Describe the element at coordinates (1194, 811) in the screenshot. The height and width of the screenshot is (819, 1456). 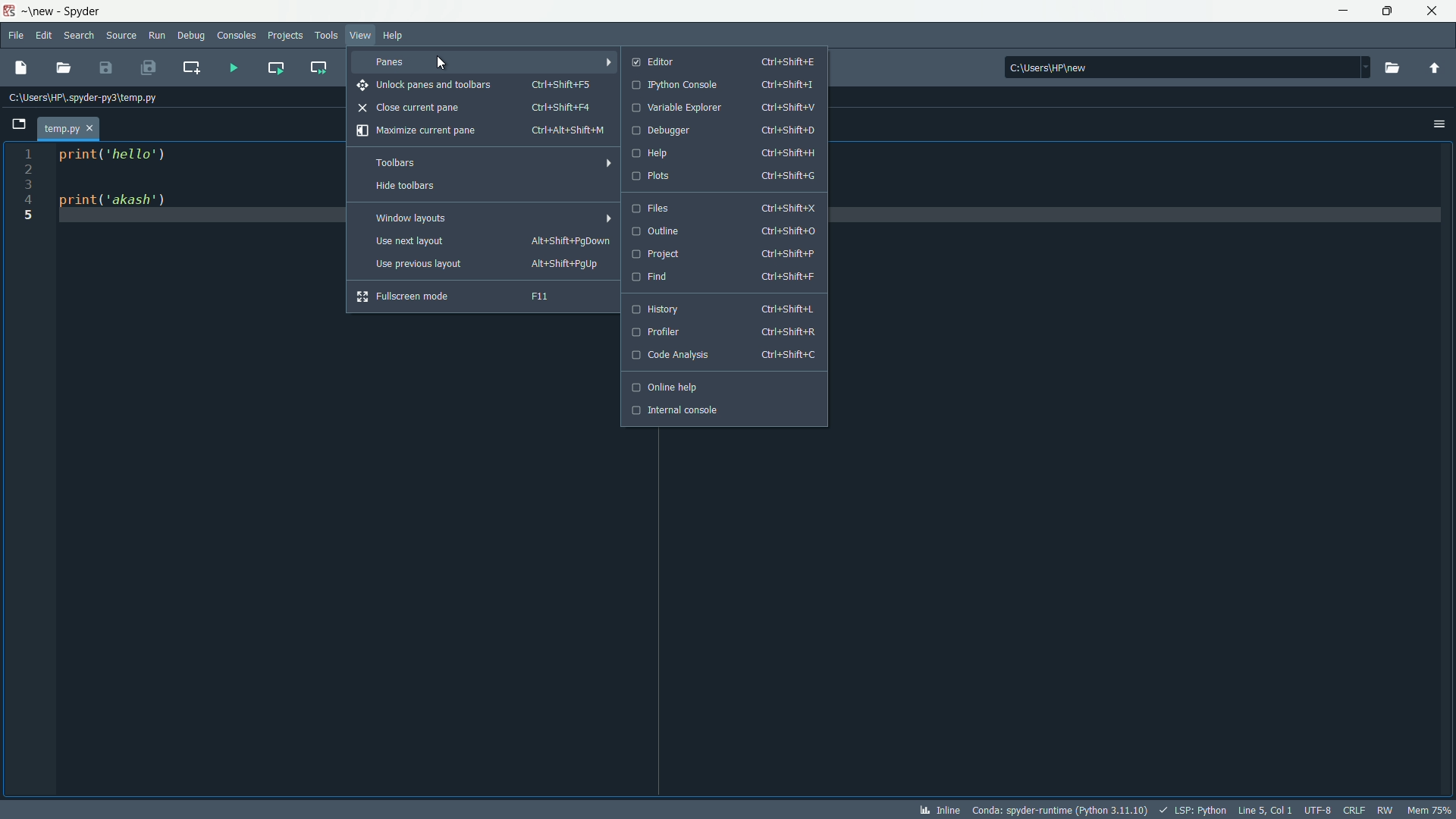
I see `lsp:python` at that location.